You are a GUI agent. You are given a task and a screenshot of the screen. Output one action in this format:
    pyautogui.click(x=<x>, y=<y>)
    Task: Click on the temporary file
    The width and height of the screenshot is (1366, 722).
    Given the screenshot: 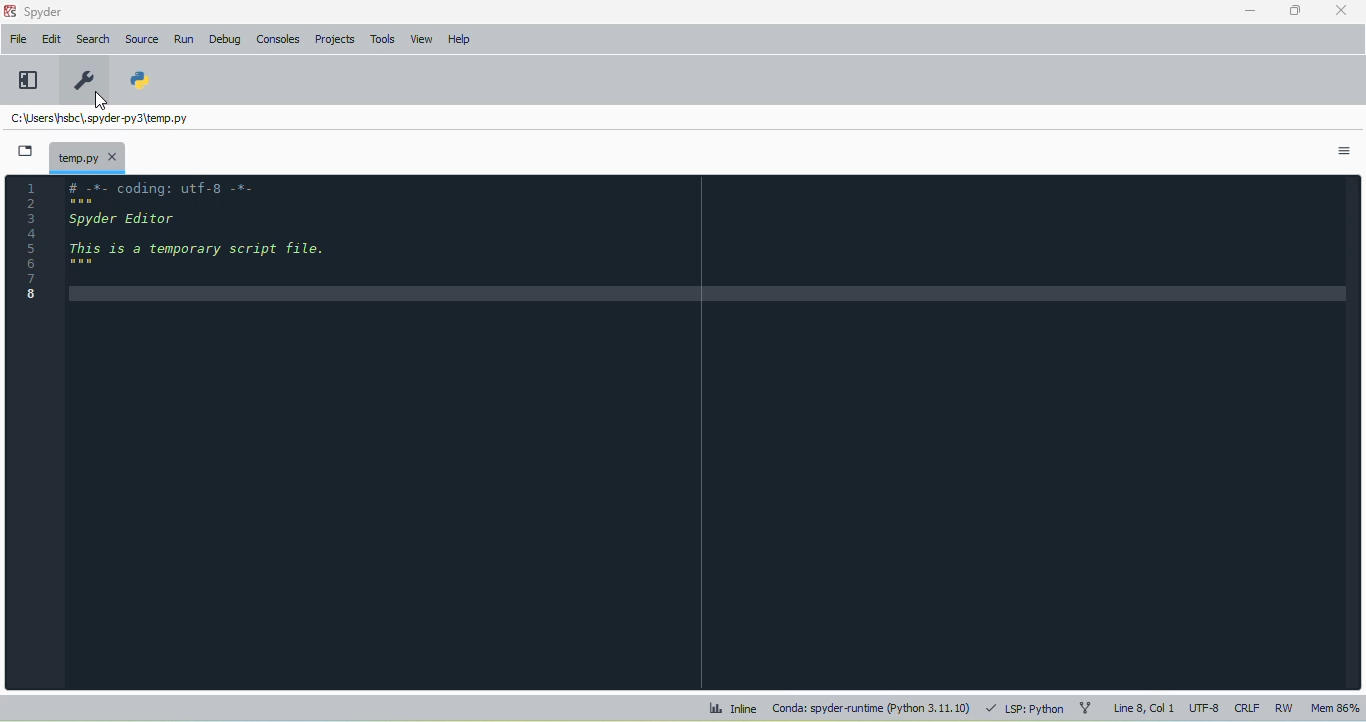 What is the action you would take?
    pyautogui.click(x=99, y=118)
    